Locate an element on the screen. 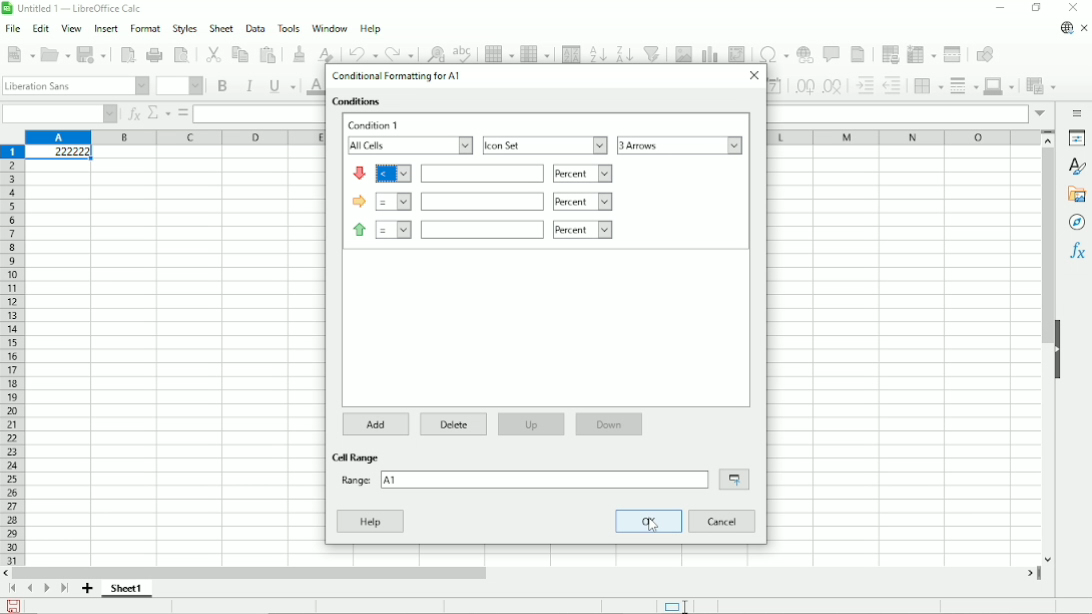  Auto filter is located at coordinates (653, 51).